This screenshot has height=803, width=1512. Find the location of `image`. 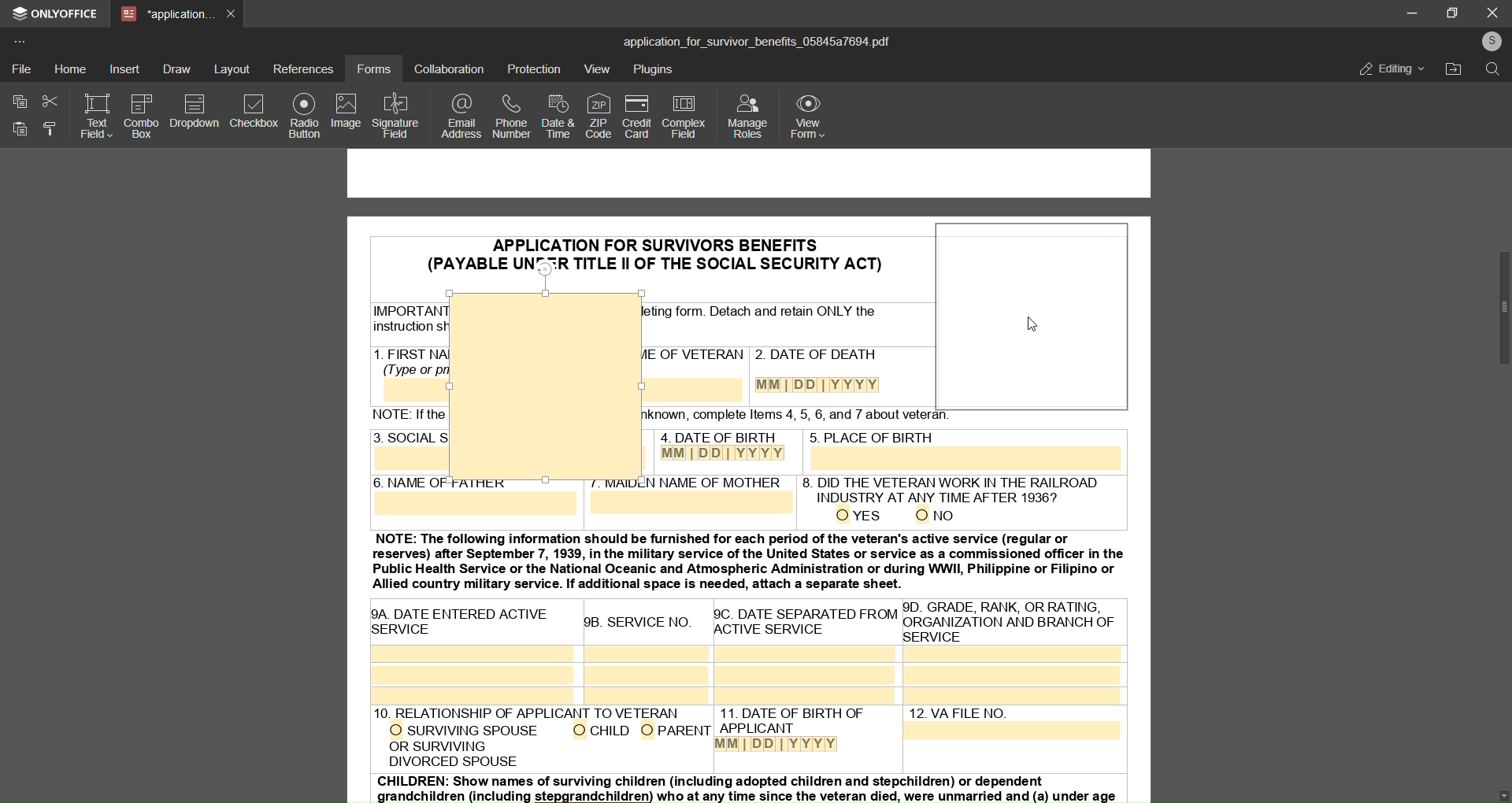

image is located at coordinates (345, 113).